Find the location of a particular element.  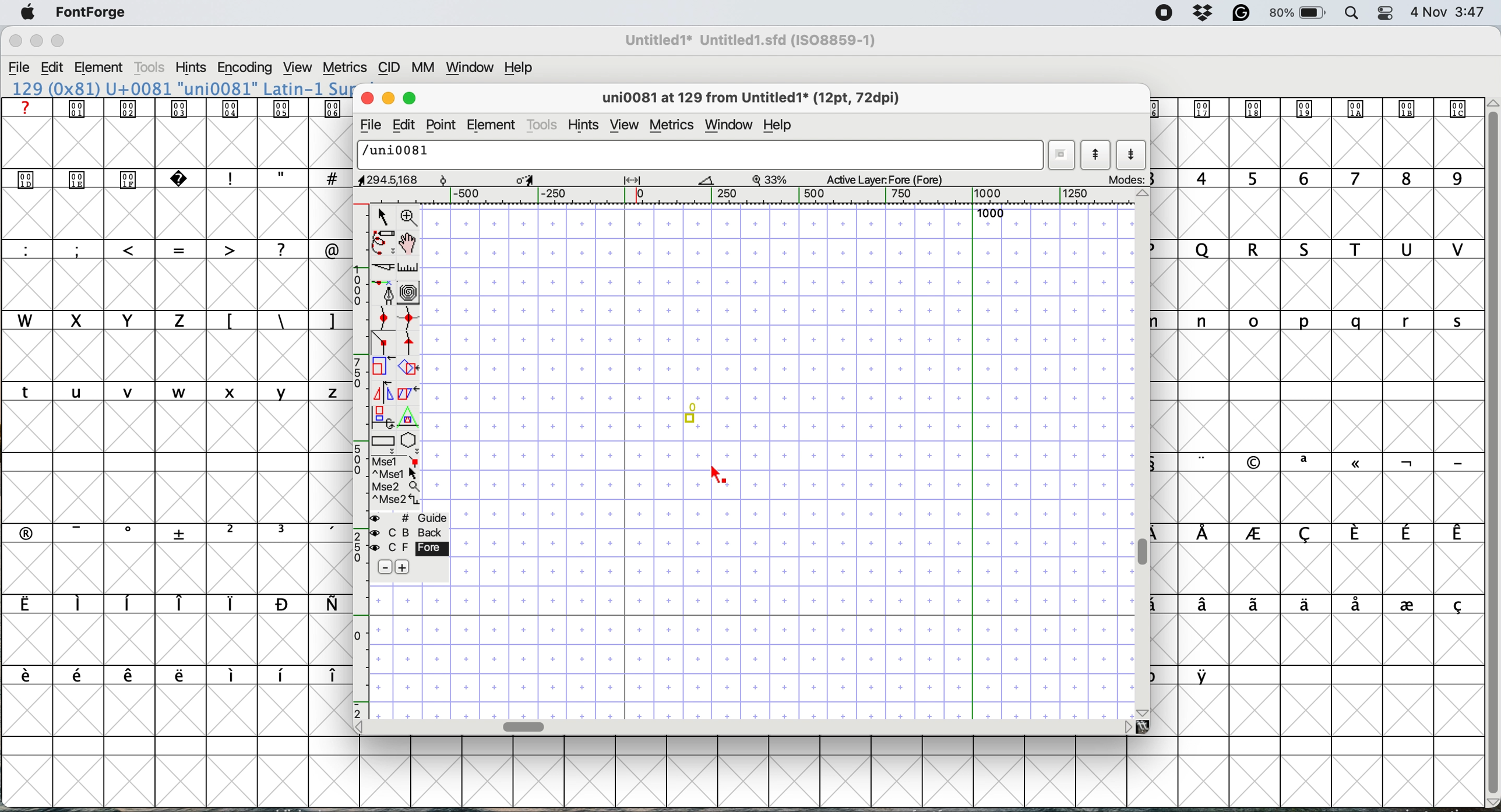

Dropbox Status Icon is located at coordinates (1204, 13).